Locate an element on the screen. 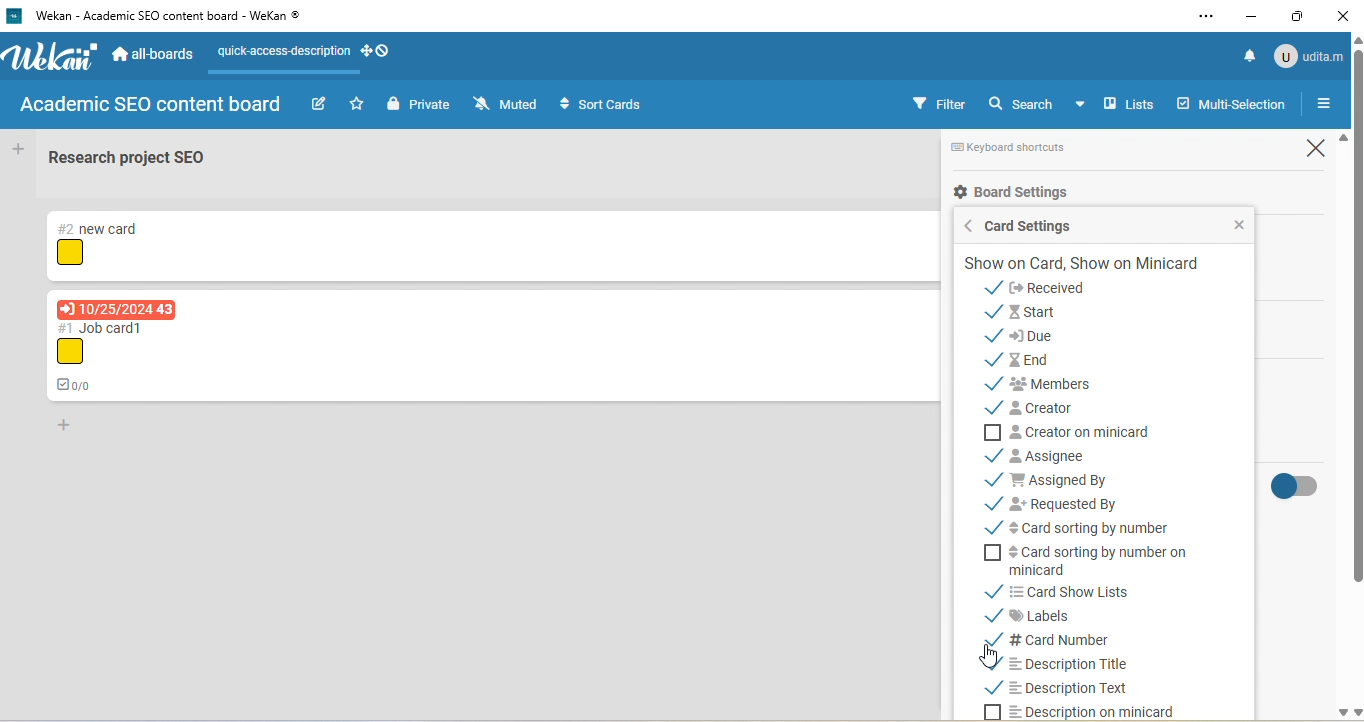 The width and height of the screenshot is (1364, 722). scroll down is located at coordinates (1355, 712).